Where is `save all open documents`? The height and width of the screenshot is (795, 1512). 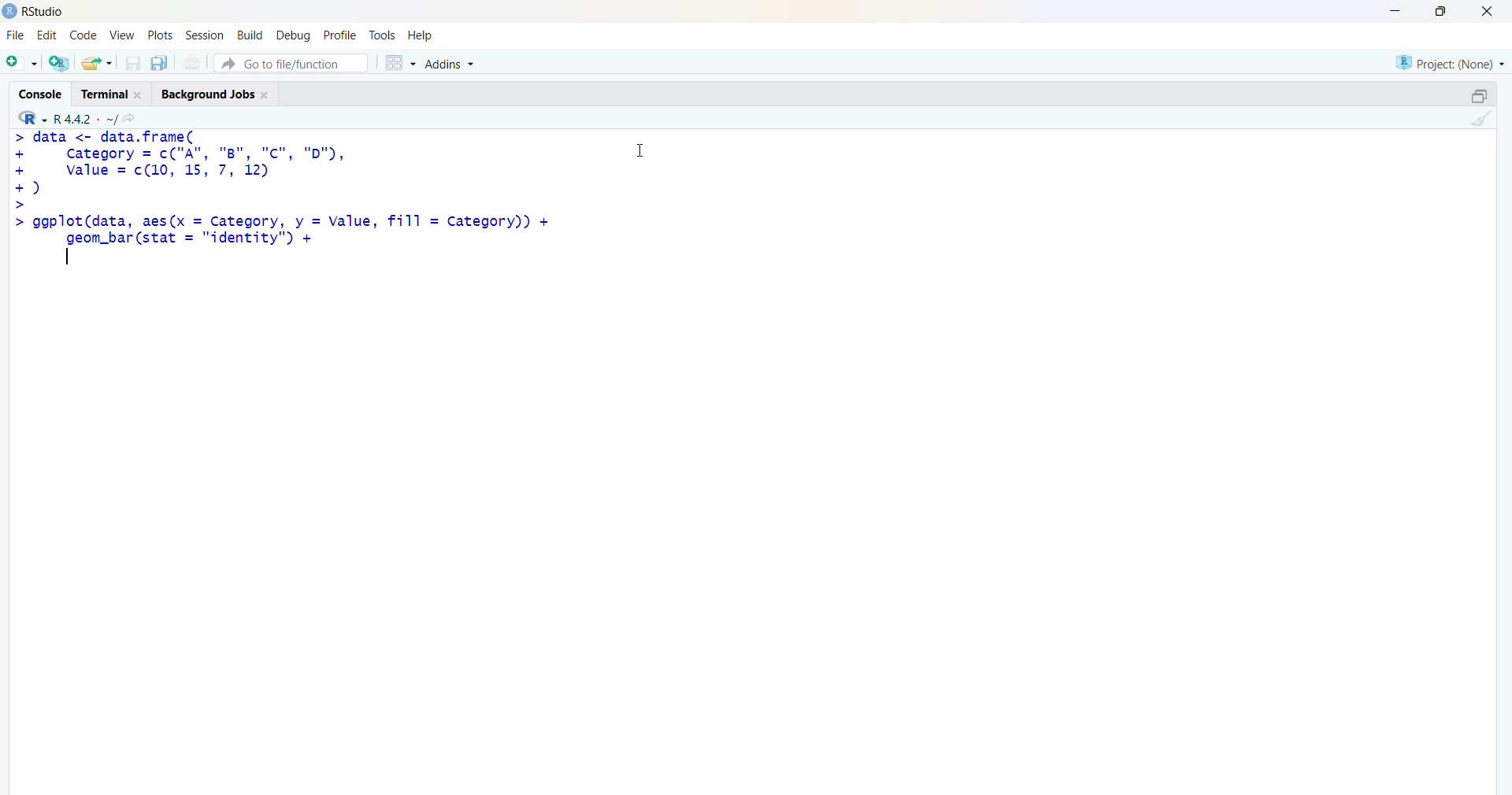 save all open documents is located at coordinates (158, 63).